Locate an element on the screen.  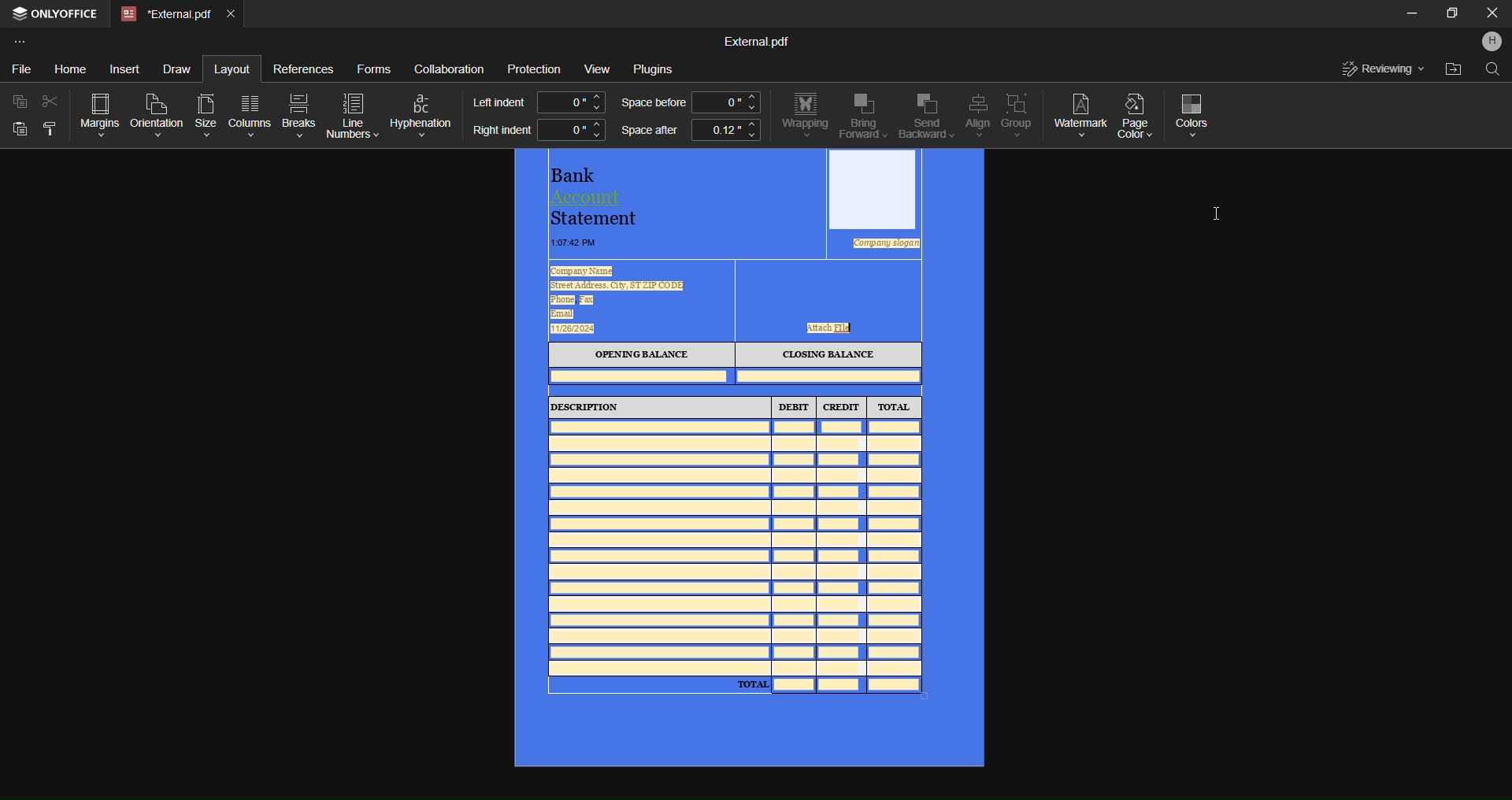
Send Backward is located at coordinates (925, 116).